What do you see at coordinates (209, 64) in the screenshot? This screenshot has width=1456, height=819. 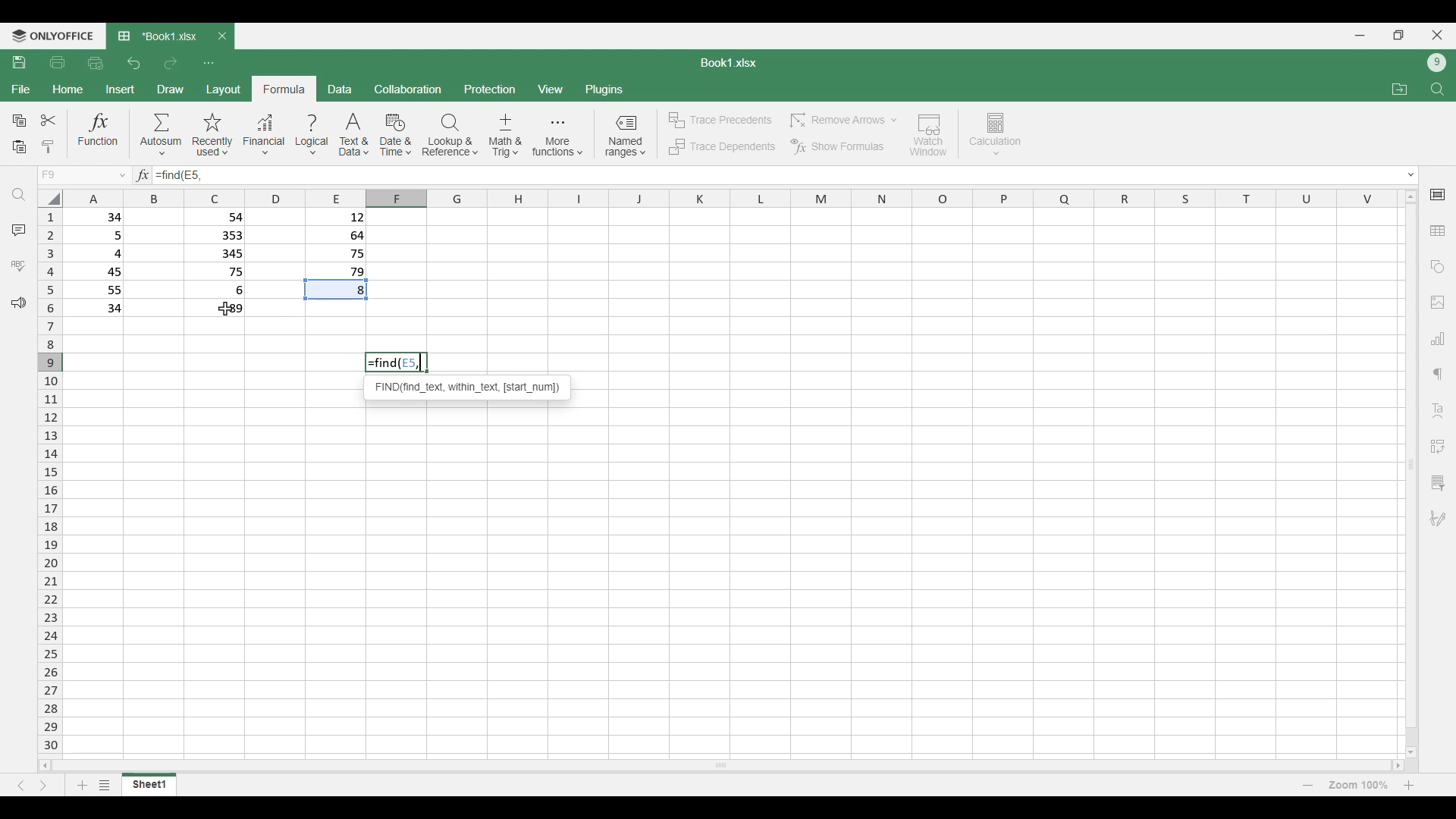 I see `Customize quick access toolbar` at bounding box center [209, 64].